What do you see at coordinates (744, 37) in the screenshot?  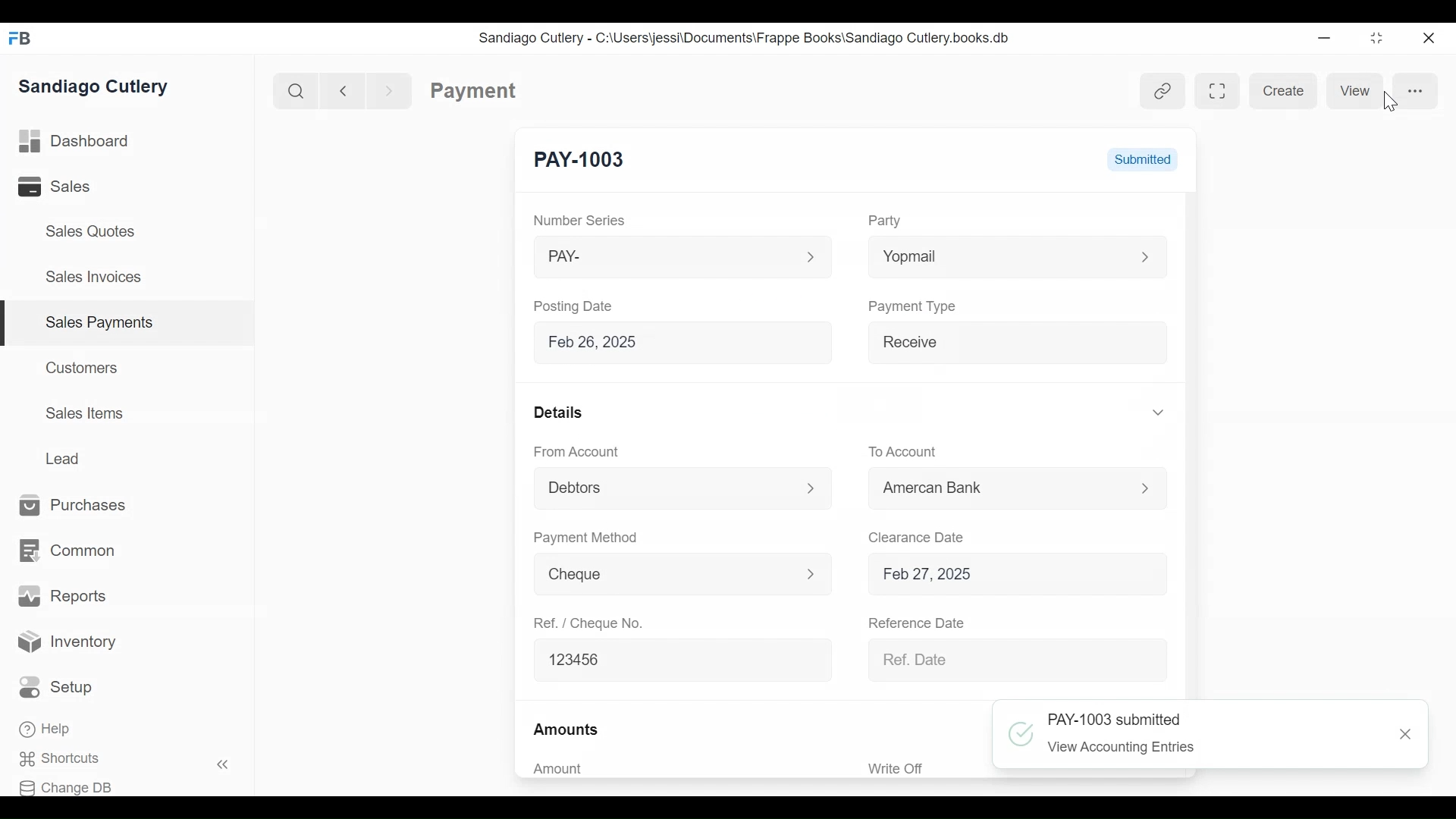 I see `Sandiago Cutlery - C:\Users\jessi\Documents\Frappe Books\Sandiago Cutlery.books.db` at bounding box center [744, 37].